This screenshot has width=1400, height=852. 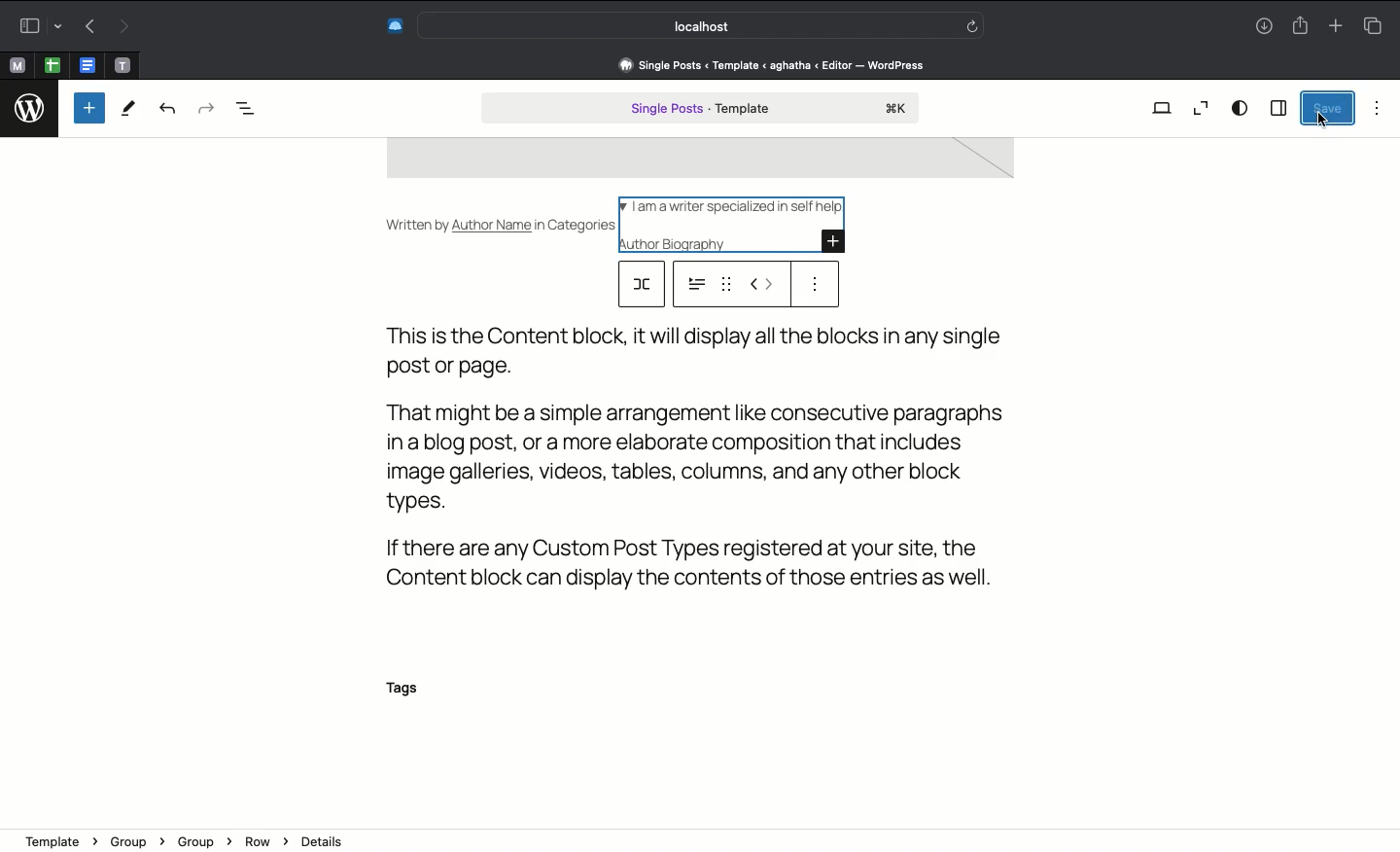 I want to click on Details, so click(x=330, y=841).